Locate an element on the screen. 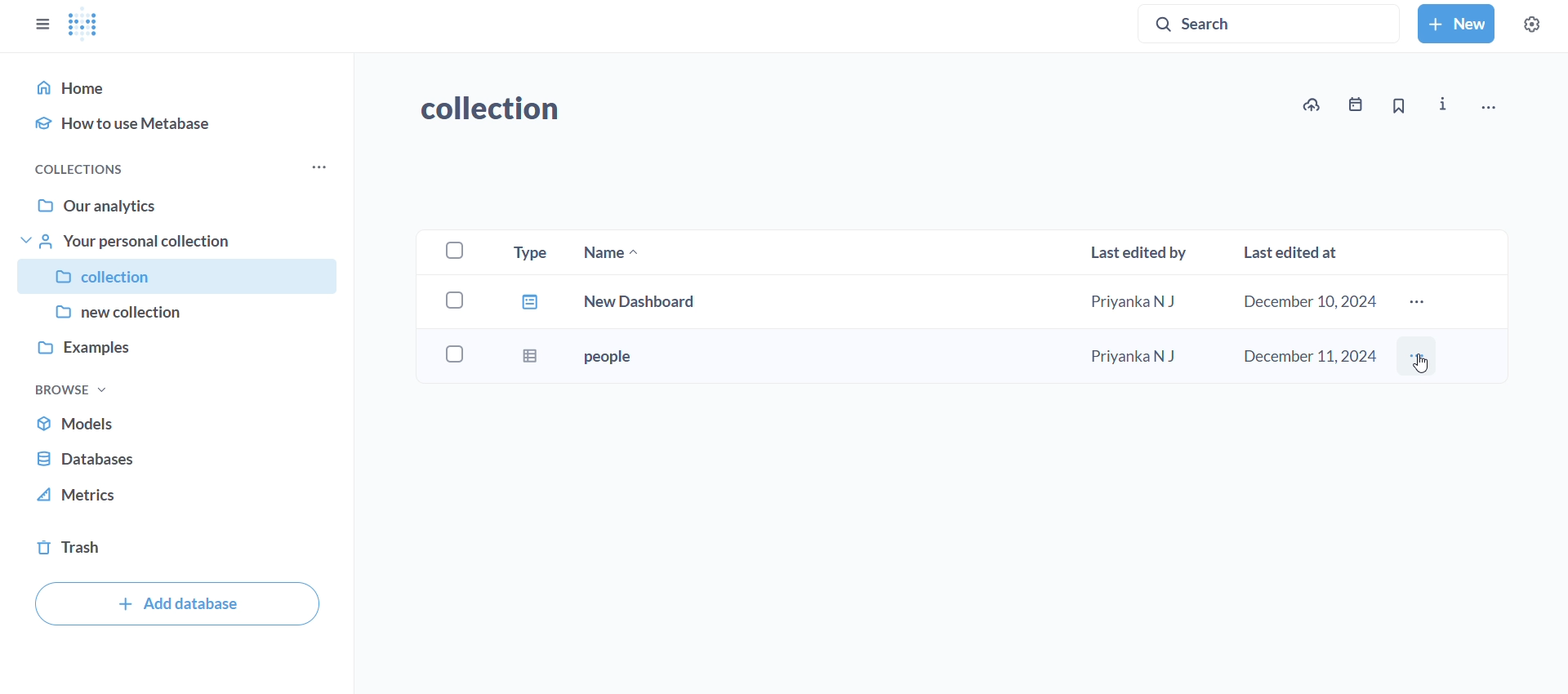 The height and width of the screenshot is (694, 1568). Cursor is located at coordinates (1423, 364).